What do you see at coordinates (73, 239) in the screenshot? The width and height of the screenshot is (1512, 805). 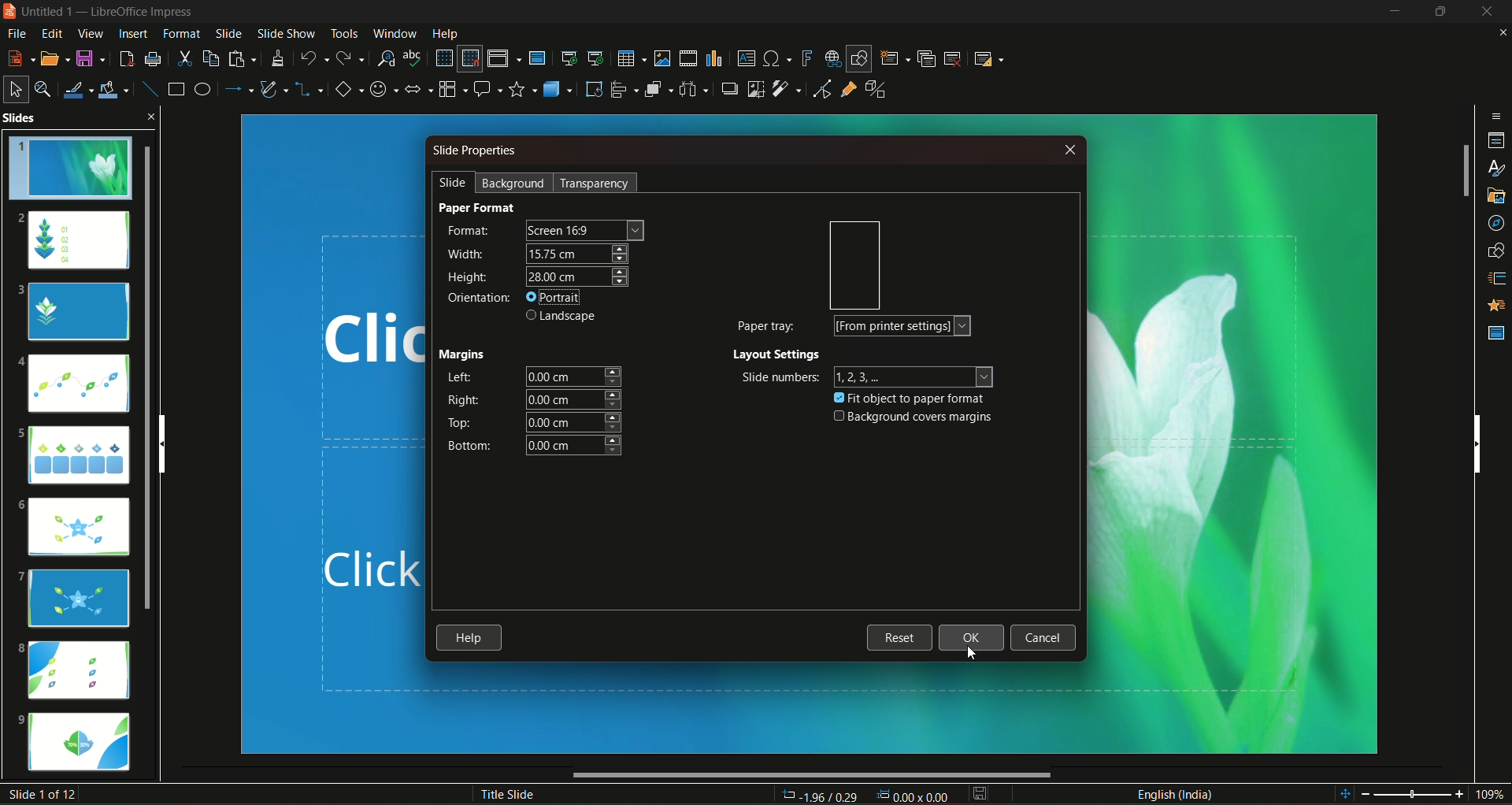 I see `slide 2` at bounding box center [73, 239].